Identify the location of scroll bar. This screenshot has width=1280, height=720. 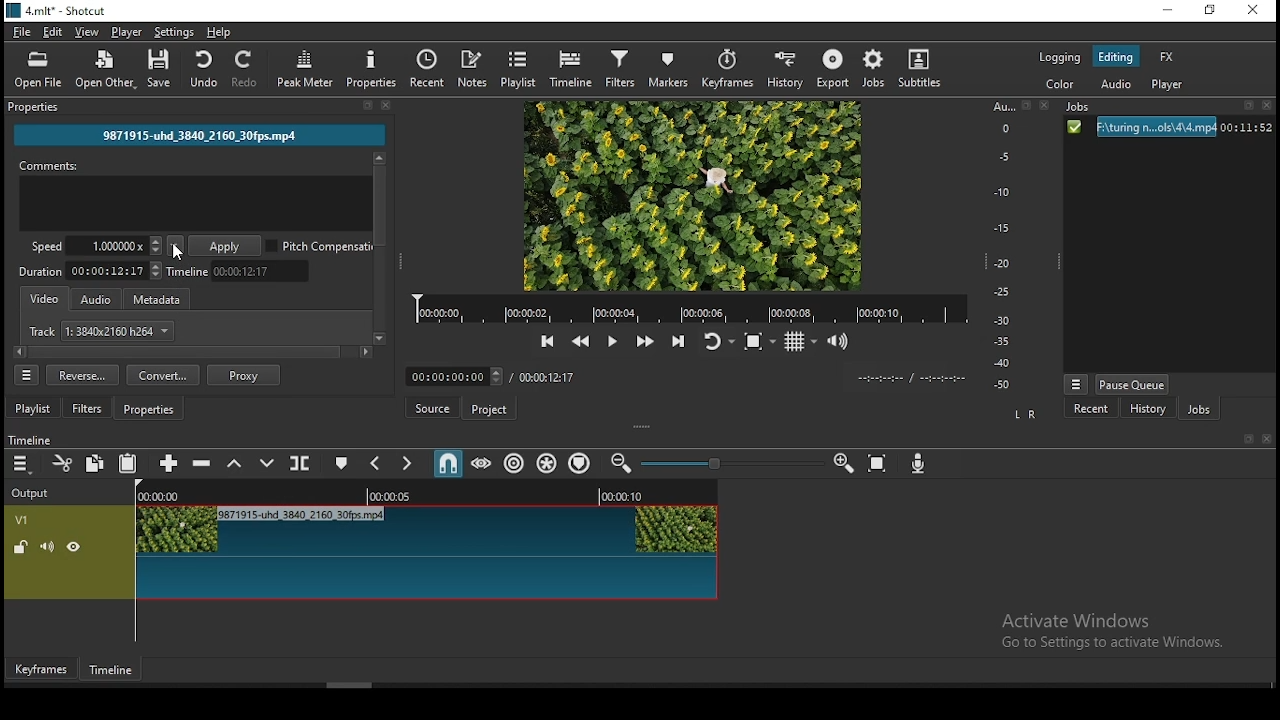
(378, 249).